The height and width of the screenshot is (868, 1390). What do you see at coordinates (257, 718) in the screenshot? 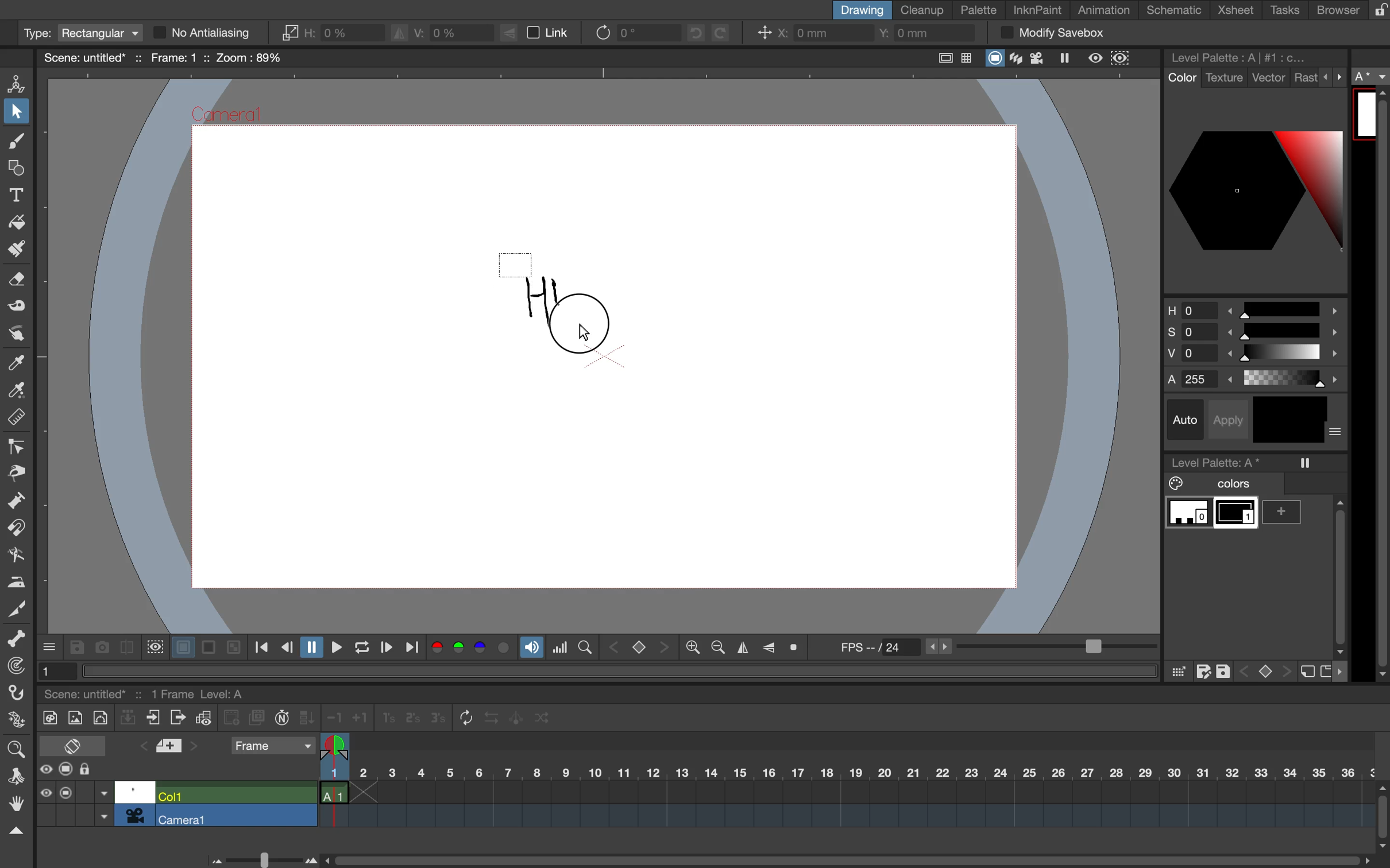
I see `duplicate drawing` at bounding box center [257, 718].